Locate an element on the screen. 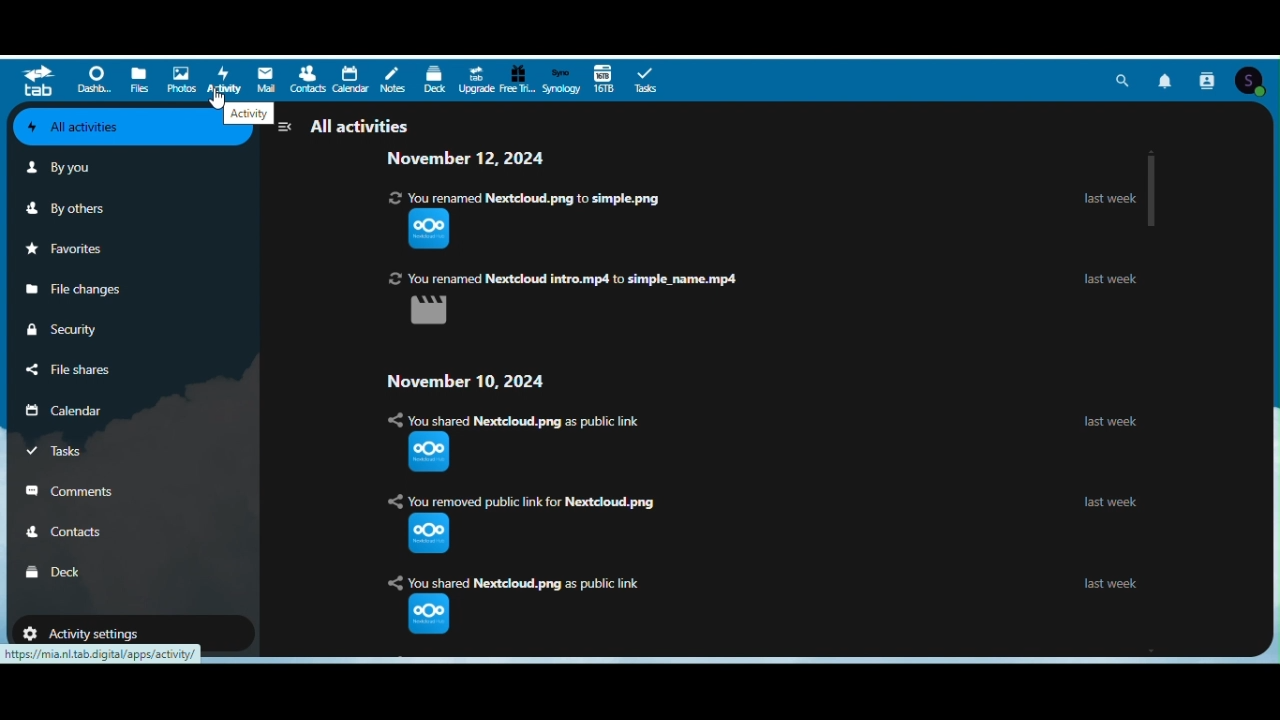 The image size is (1280, 720). By others is located at coordinates (69, 206).